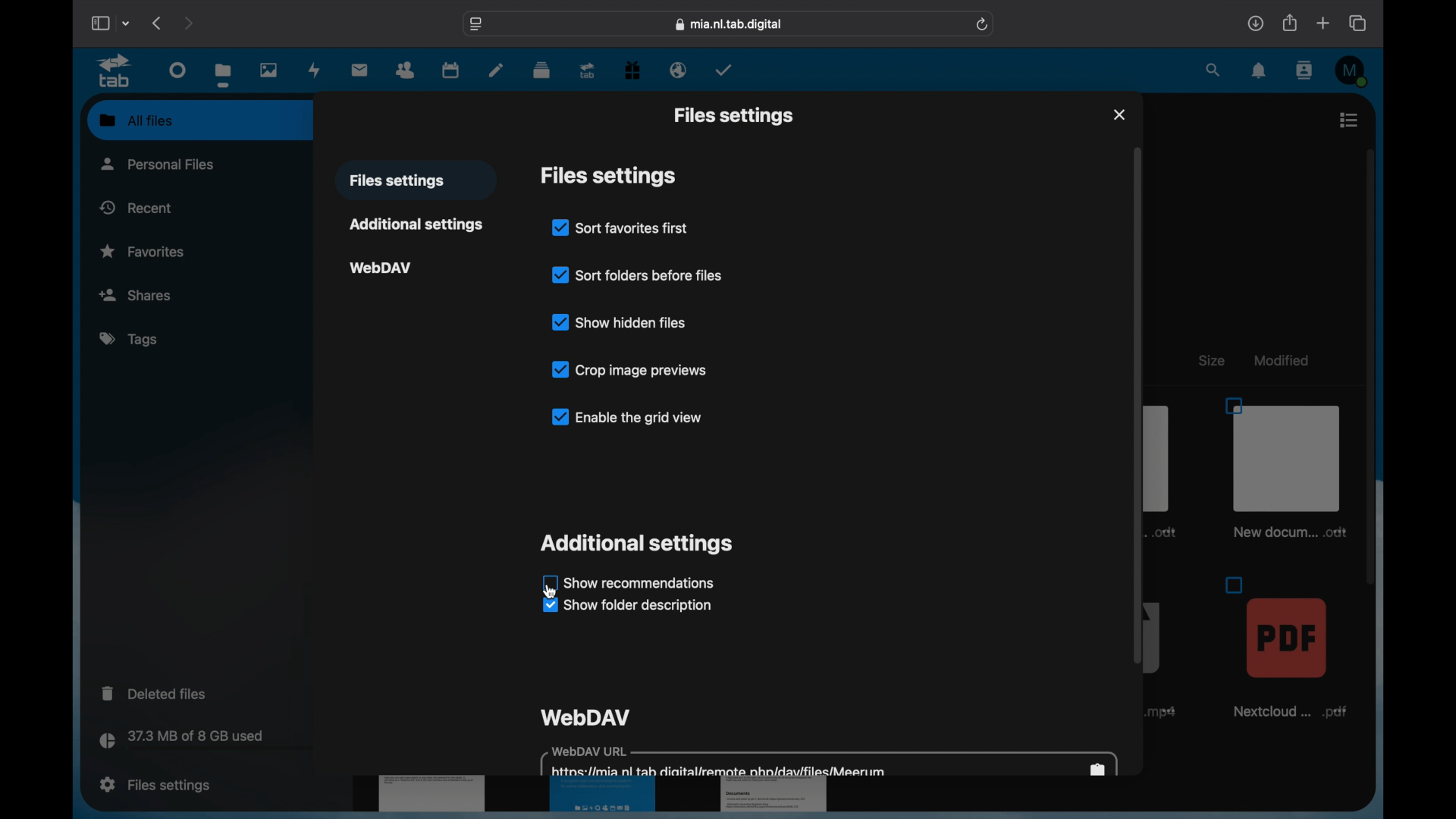  I want to click on document, so click(1163, 462).